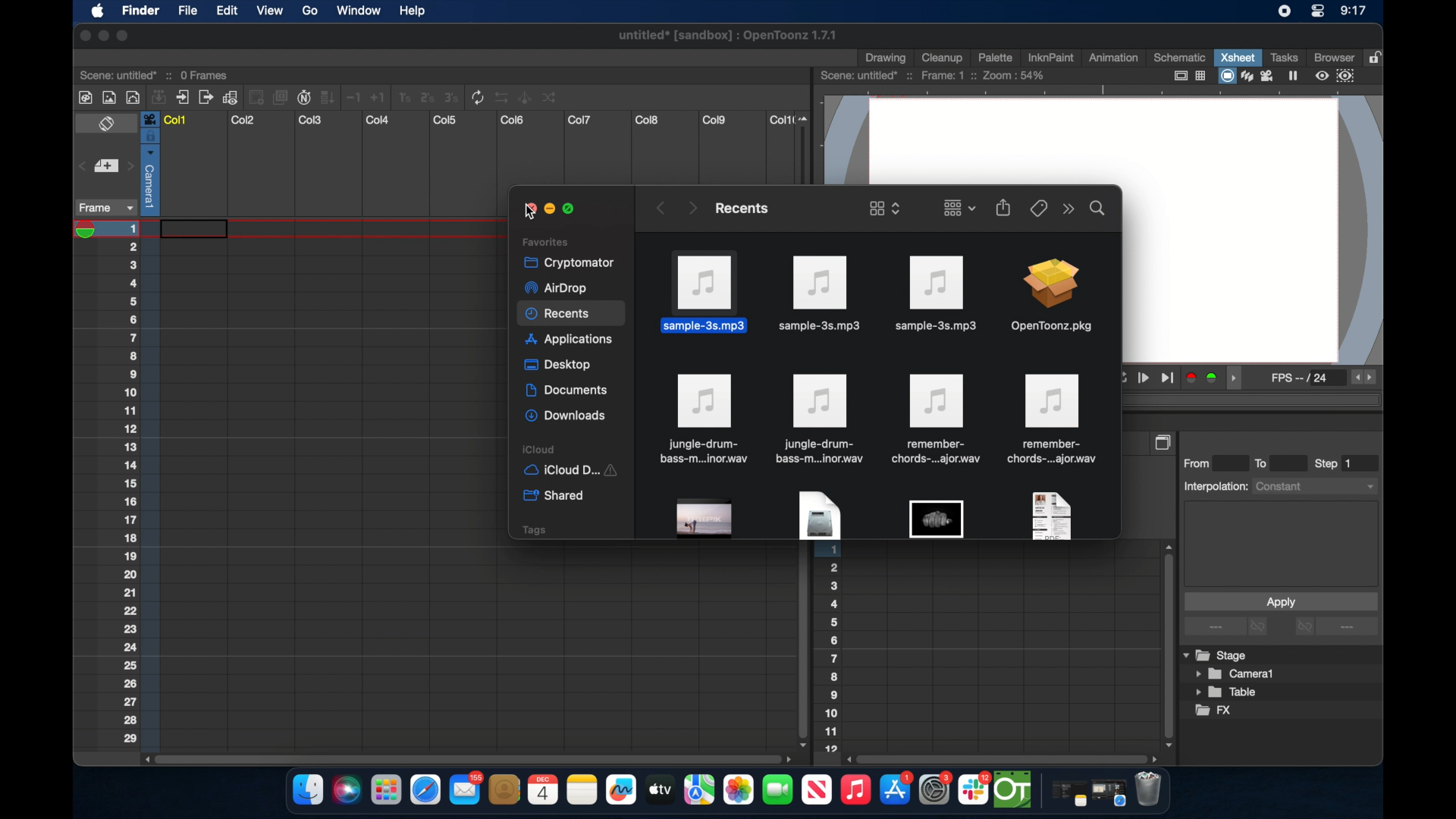 Image resolution: width=1456 pixels, height=819 pixels. I want to click on finder, so click(308, 790).